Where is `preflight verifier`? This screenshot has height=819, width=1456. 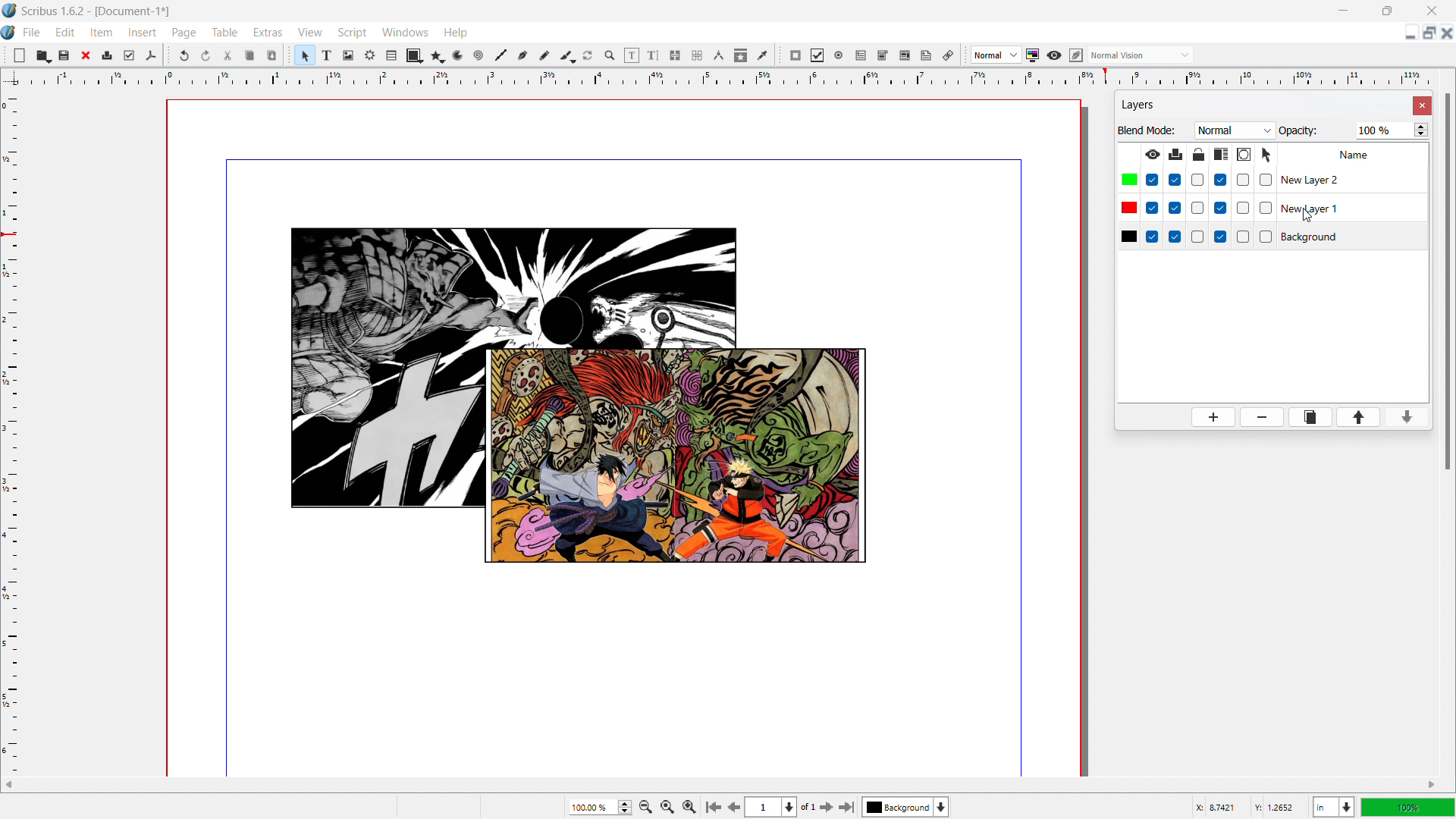
preflight verifier is located at coordinates (129, 55).